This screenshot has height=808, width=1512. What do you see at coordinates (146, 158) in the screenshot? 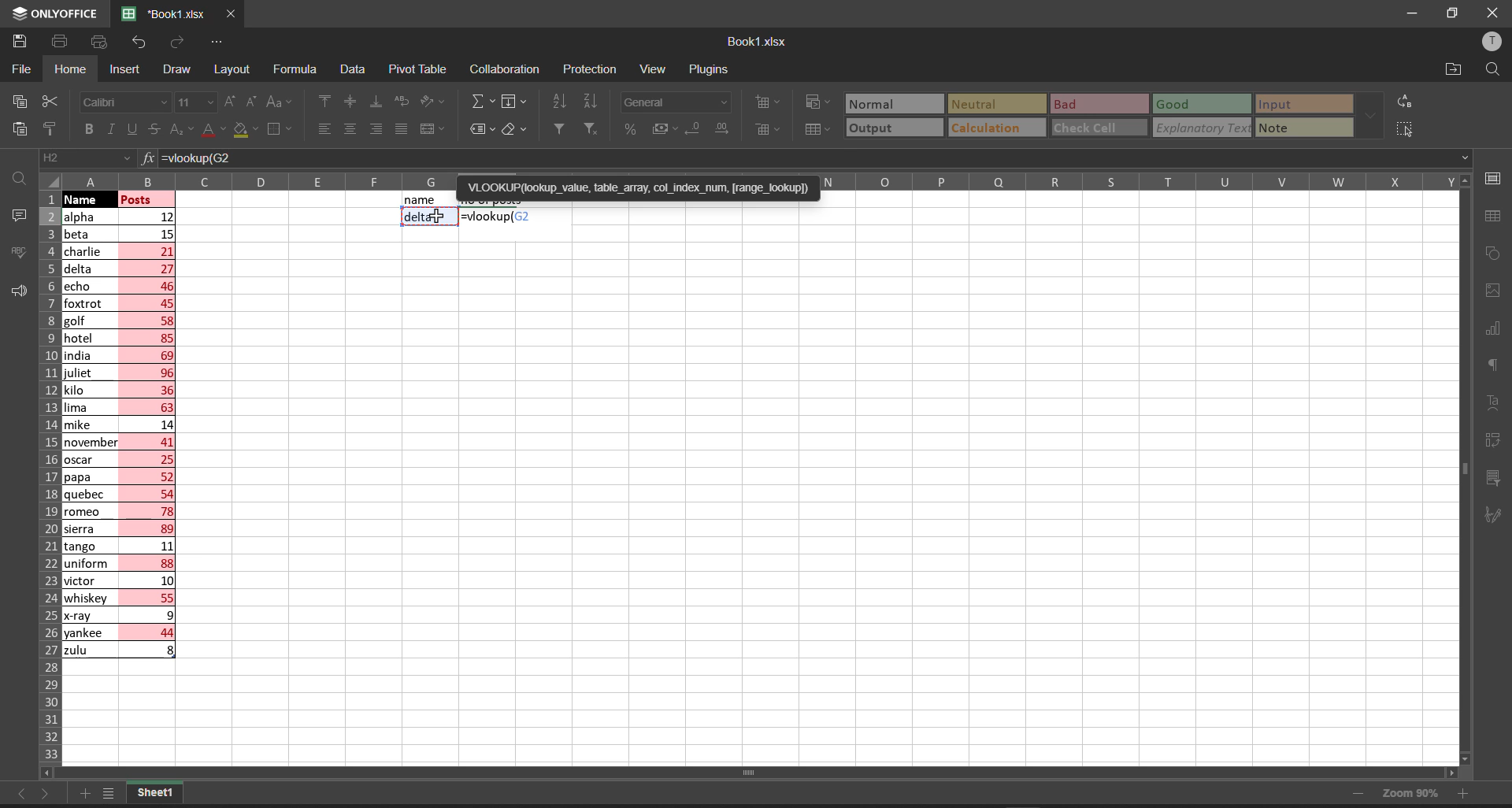
I see `formula` at bounding box center [146, 158].